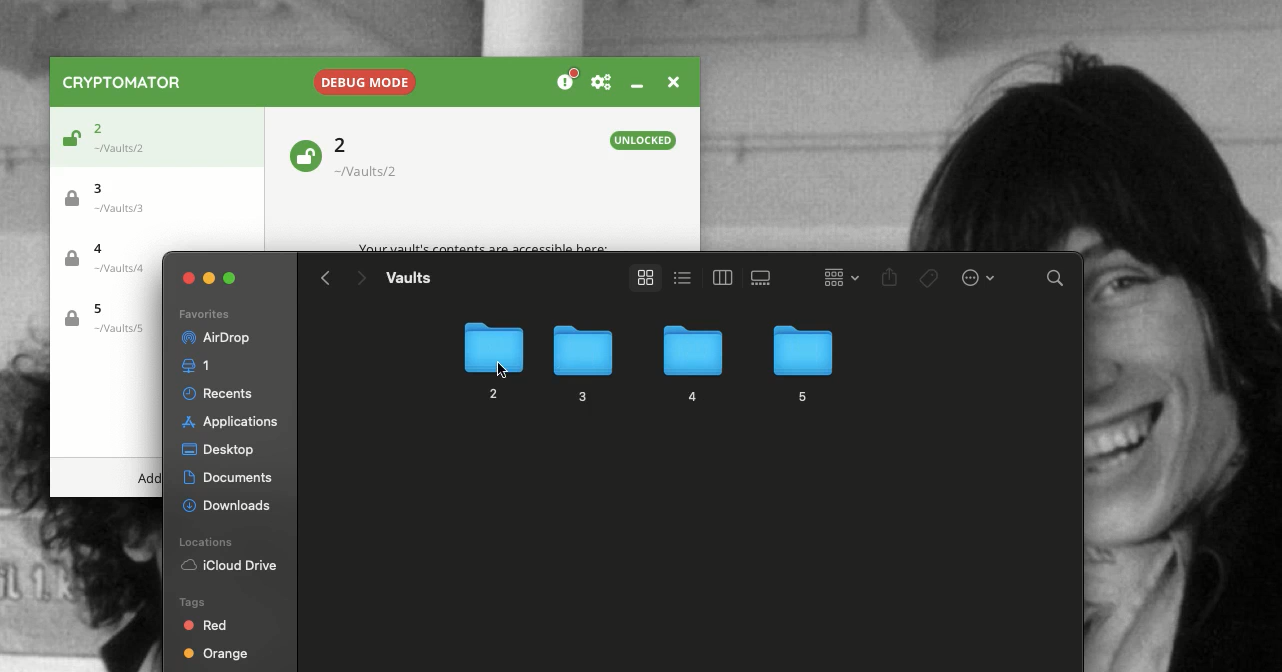 The image size is (1282, 672). What do you see at coordinates (112, 261) in the screenshot?
I see `Vault 4` at bounding box center [112, 261].